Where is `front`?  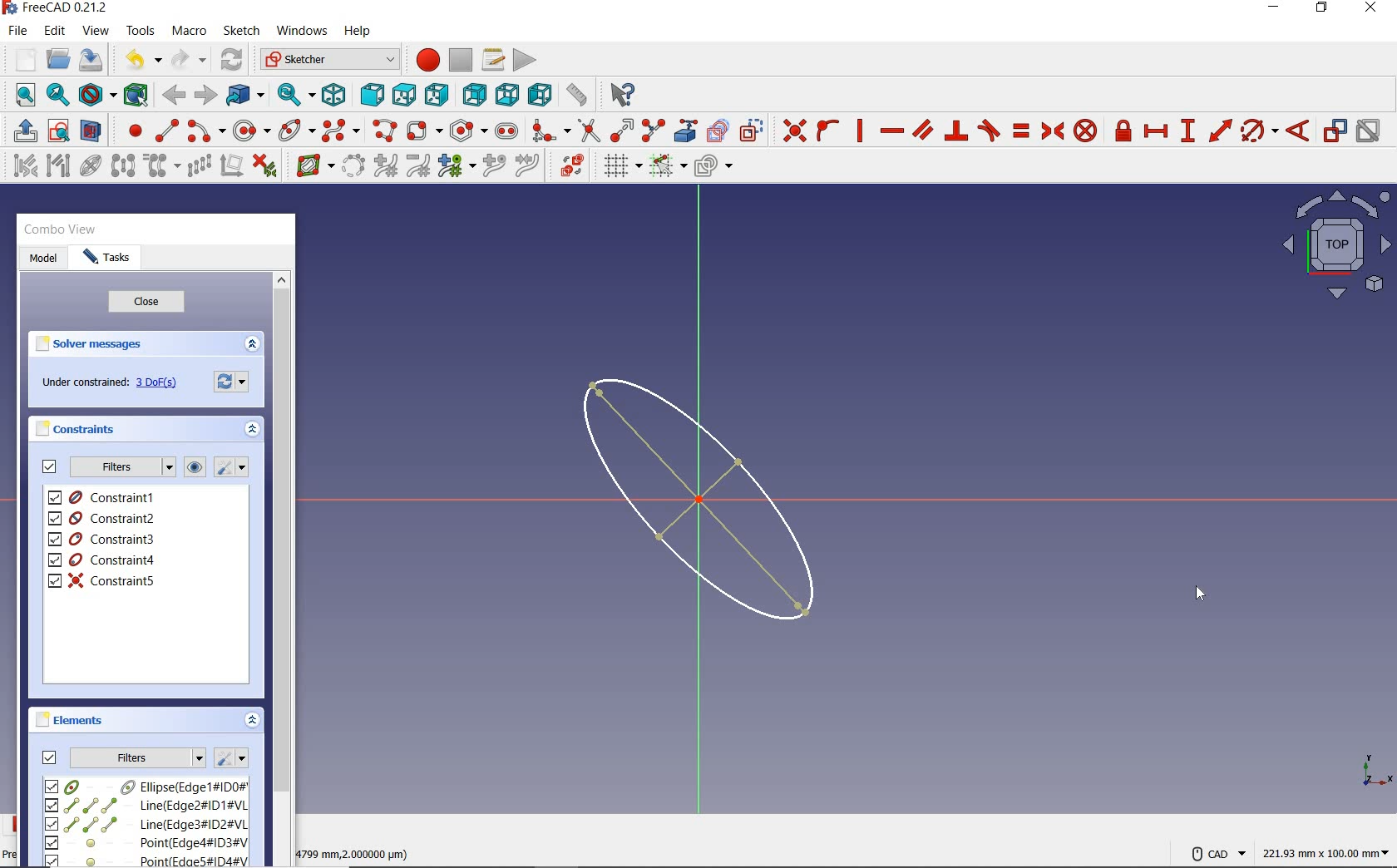
front is located at coordinates (368, 95).